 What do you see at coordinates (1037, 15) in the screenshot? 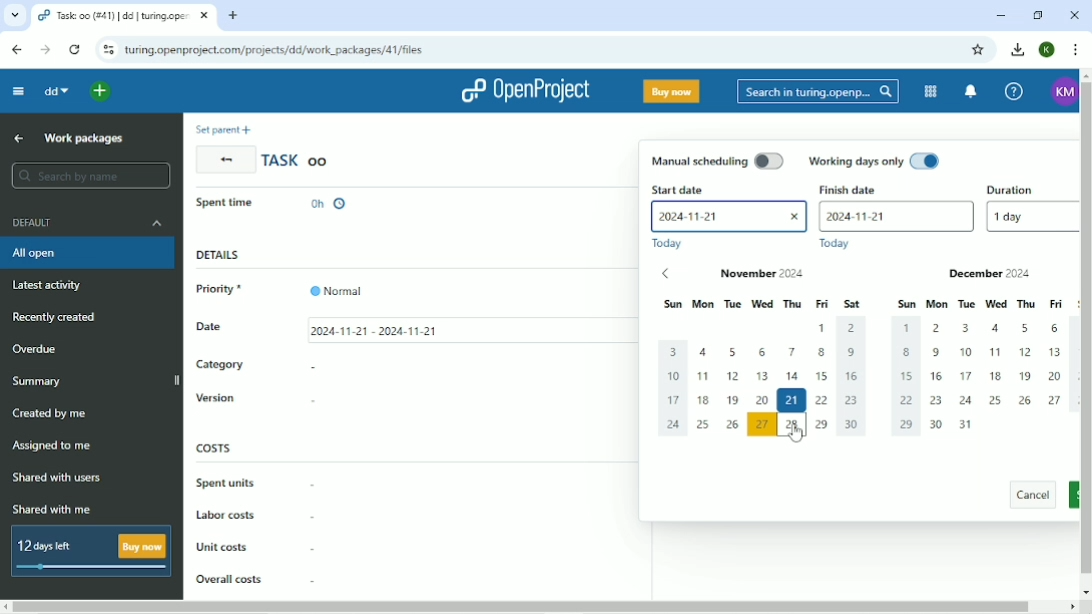
I see `Restore down` at bounding box center [1037, 15].